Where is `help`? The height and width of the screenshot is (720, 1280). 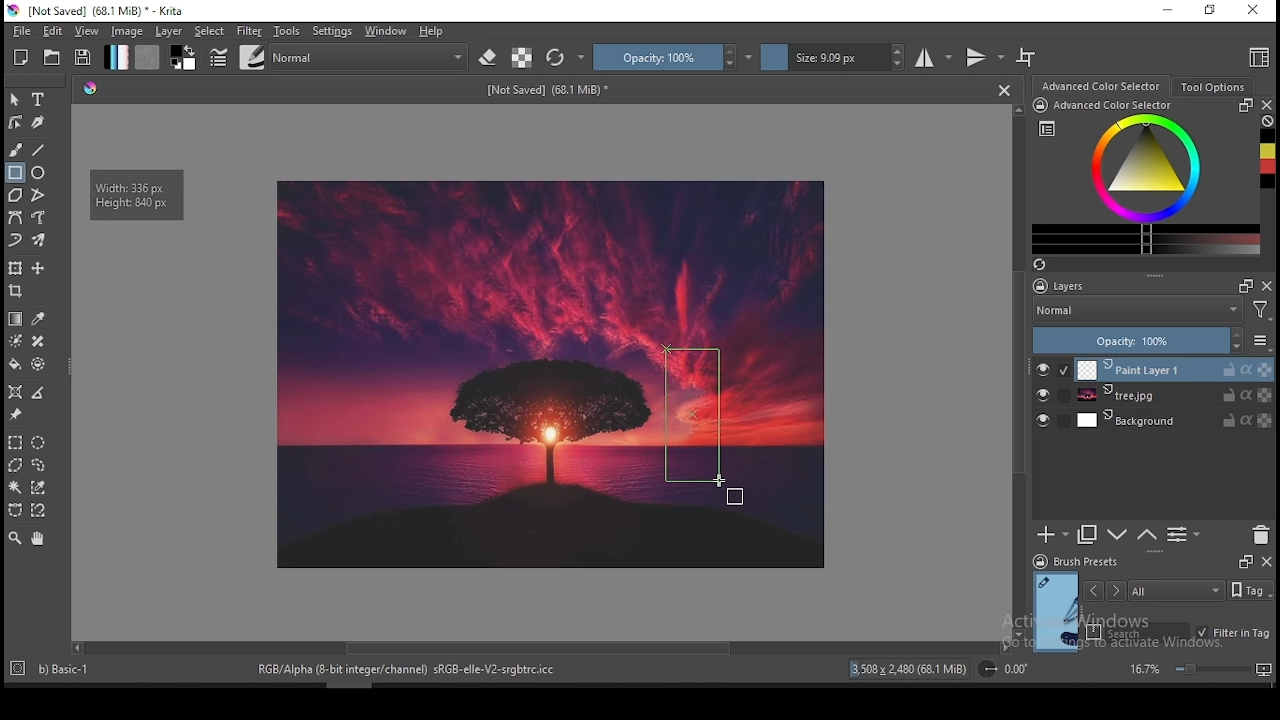
help is located at coordinates (432, 32).